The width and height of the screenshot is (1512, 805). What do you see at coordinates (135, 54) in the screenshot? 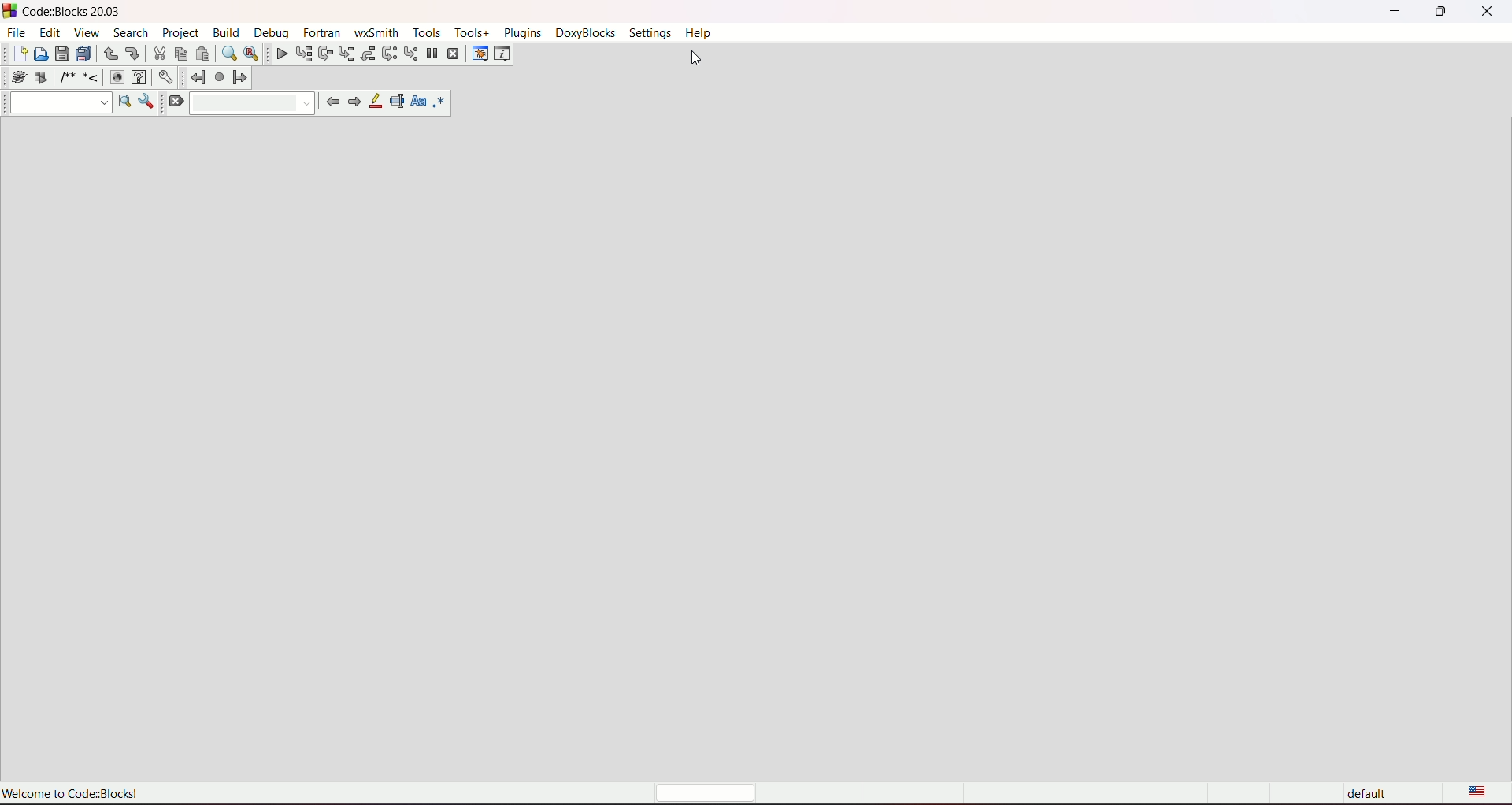
I see `redo` at bounding box center [135, 54].